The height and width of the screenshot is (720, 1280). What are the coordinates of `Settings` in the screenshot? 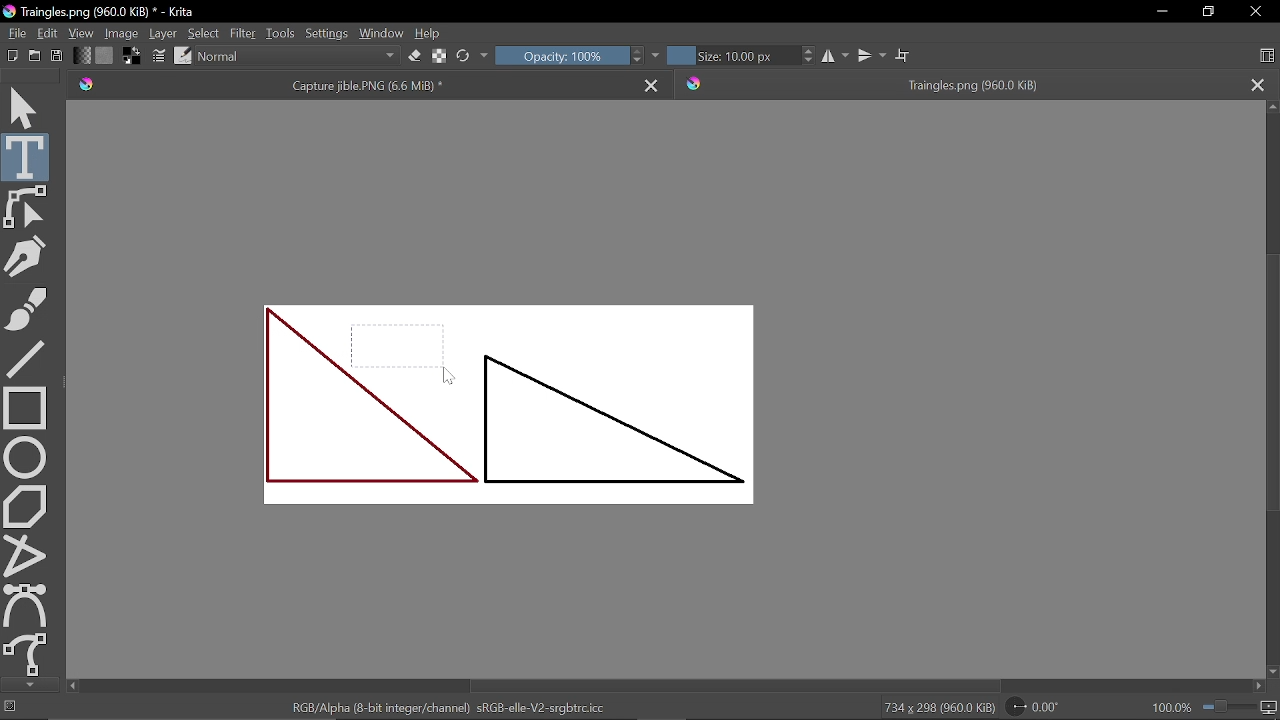 It's located at (326, 36).